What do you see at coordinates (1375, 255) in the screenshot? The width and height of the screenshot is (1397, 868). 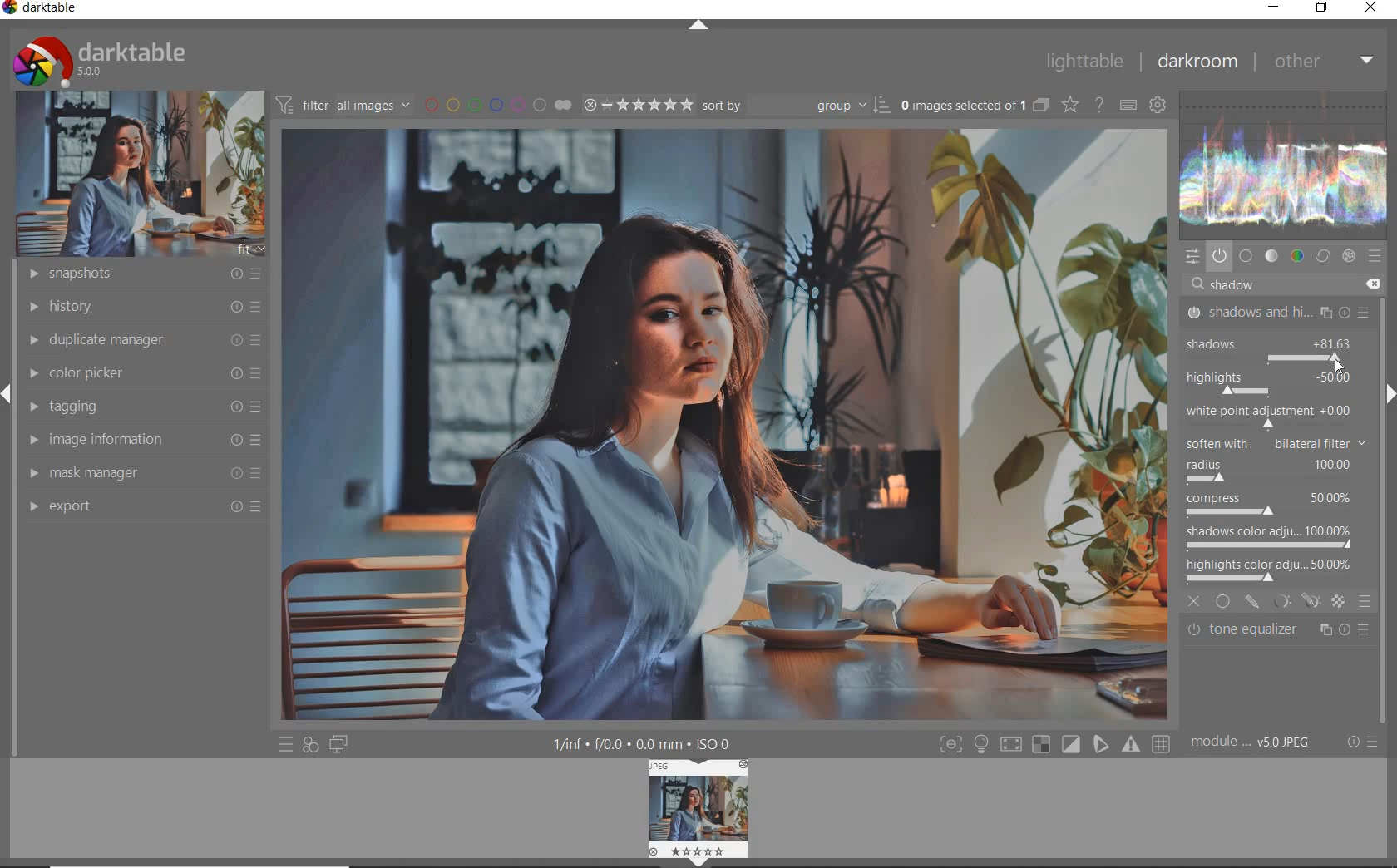 I see `presets` at bounding box center [1375, 255].